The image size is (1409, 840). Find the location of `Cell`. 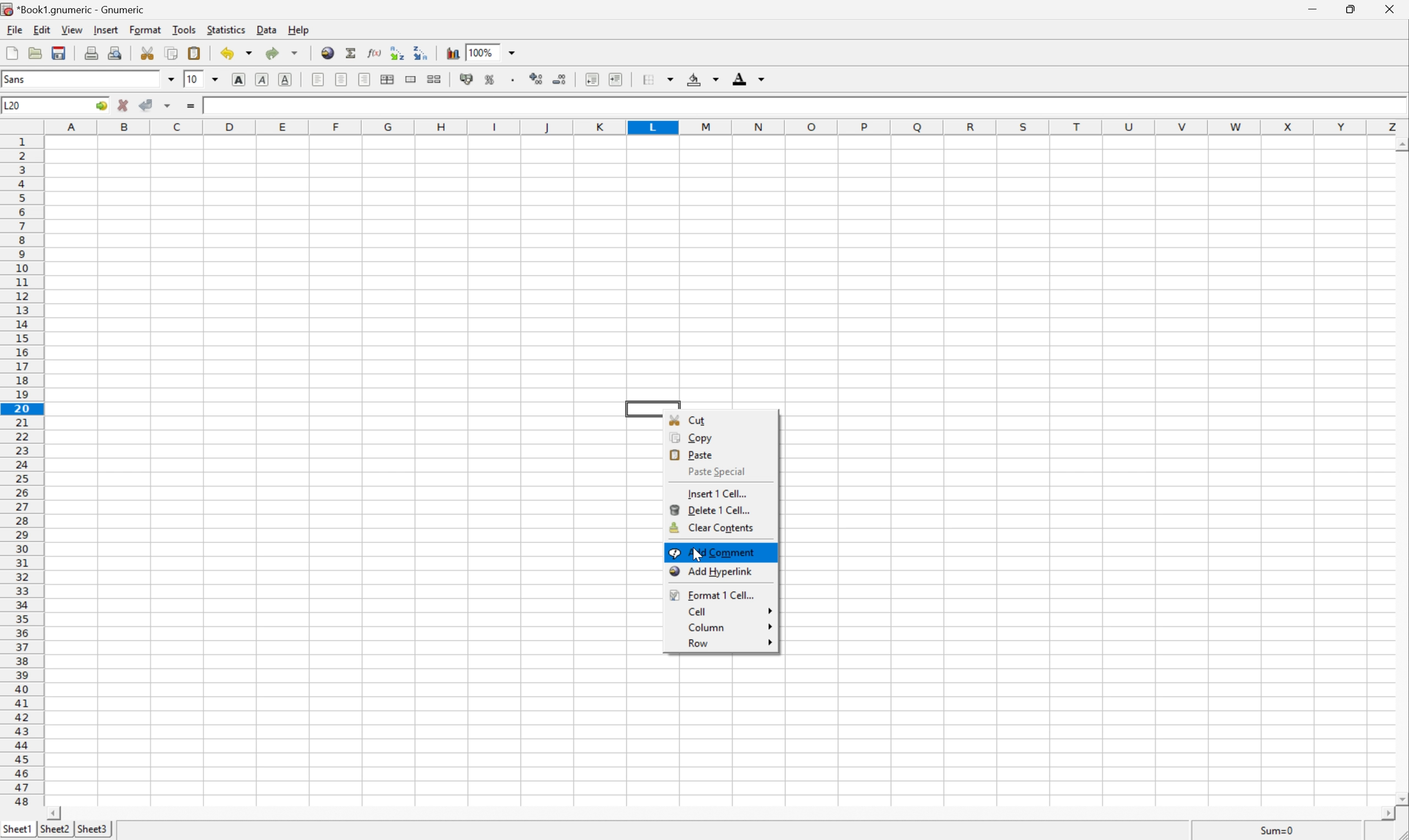

Cell is located at coordinates (698, 612).